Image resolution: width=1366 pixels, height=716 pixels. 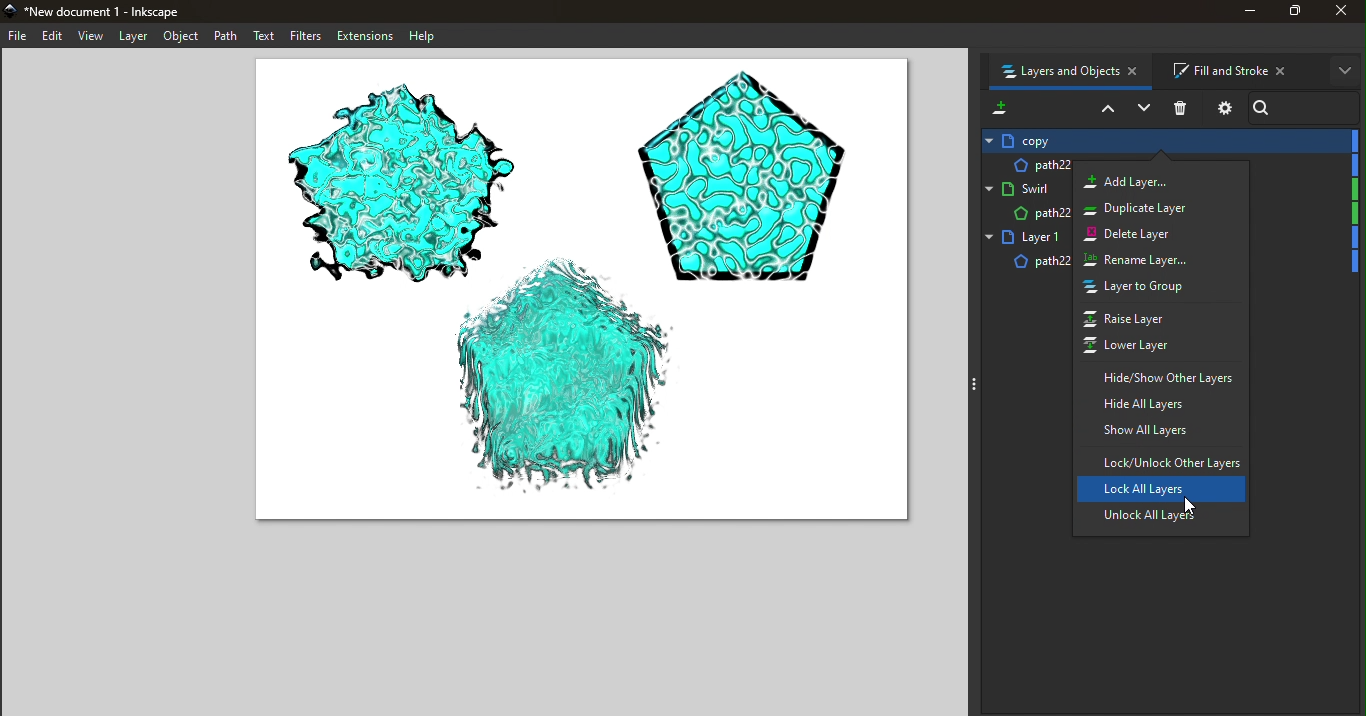 What do you see at coordinates (998, 107) in the screenshot?
I see `Add new layer` at bounding box center [998, 107].